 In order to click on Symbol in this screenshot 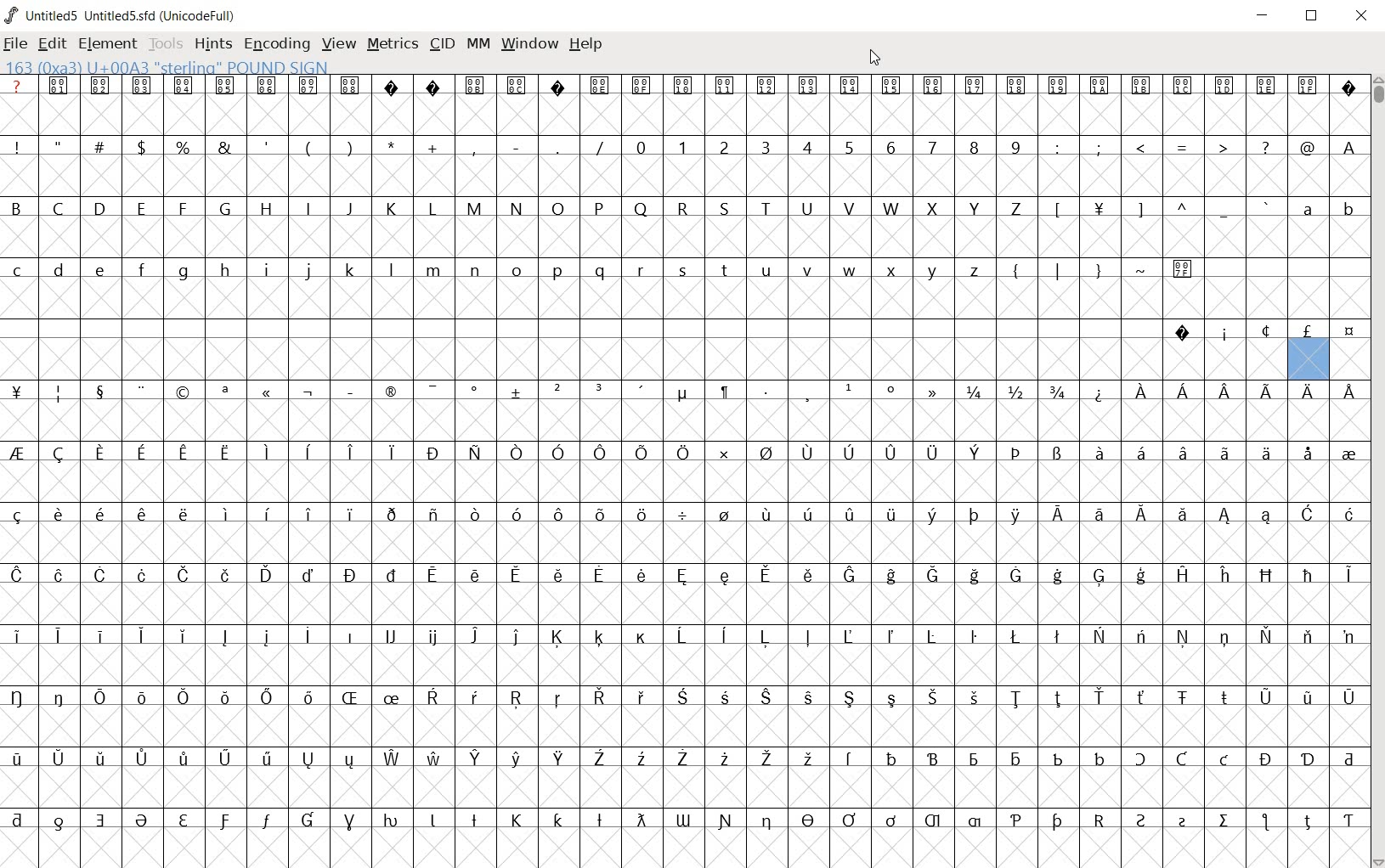, I will do `click(934, 453)`.